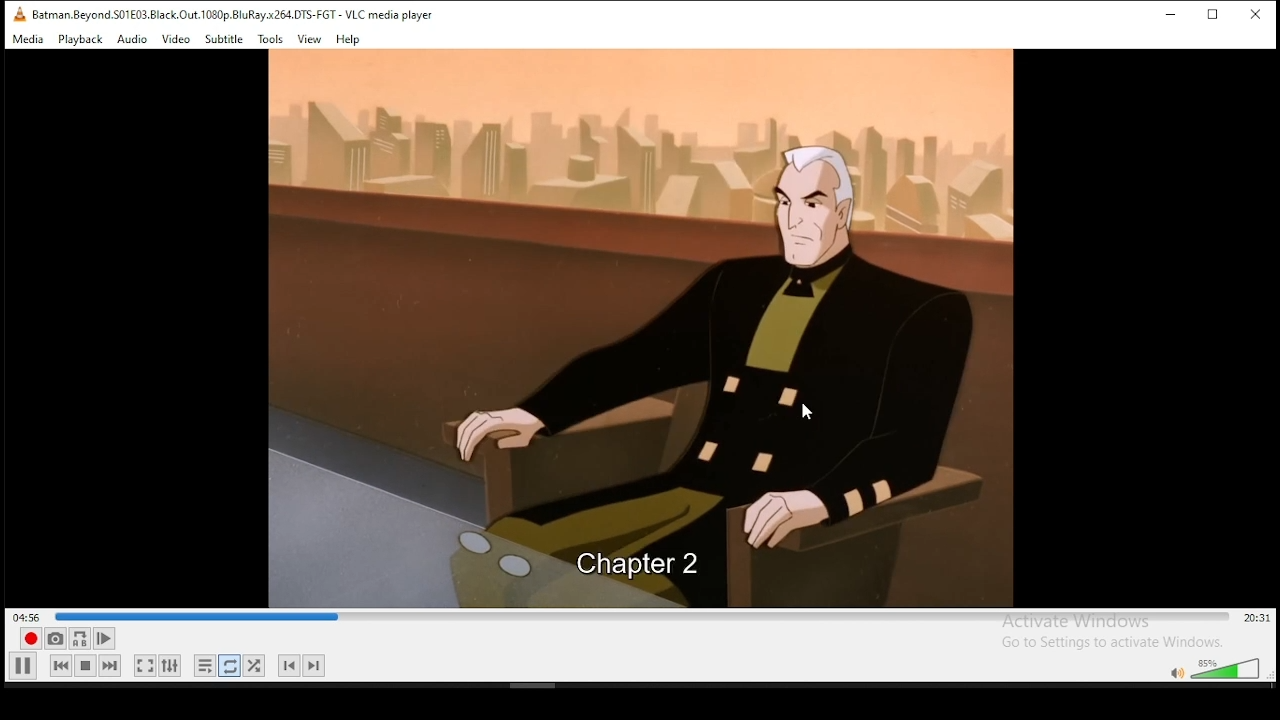 The width and height of the screenshot is (1280, 720). Describe the element at coordinates (81, 40) in the screenshot. I see `Playback` at that location.